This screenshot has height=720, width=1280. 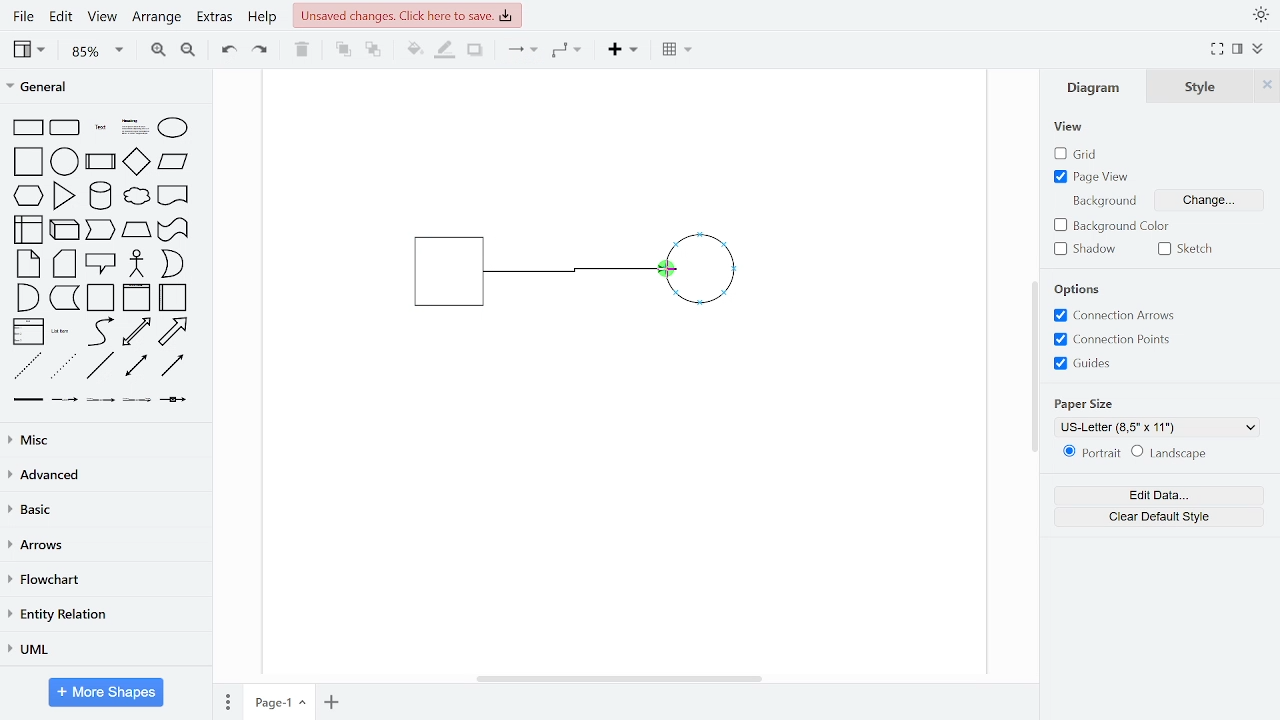 What do you see at coordinates (32, 49) in the screenshot?
I see `view` at bounding box center [32, 49].